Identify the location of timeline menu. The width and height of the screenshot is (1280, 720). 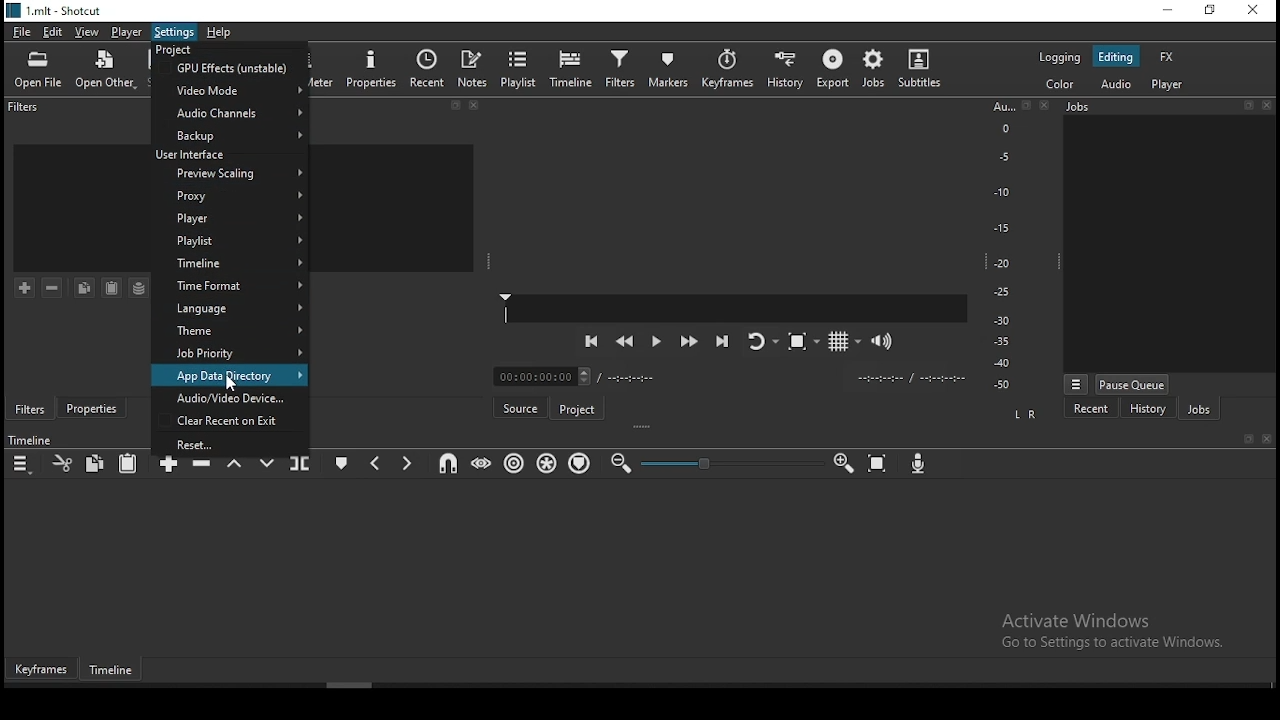
(22, 462).